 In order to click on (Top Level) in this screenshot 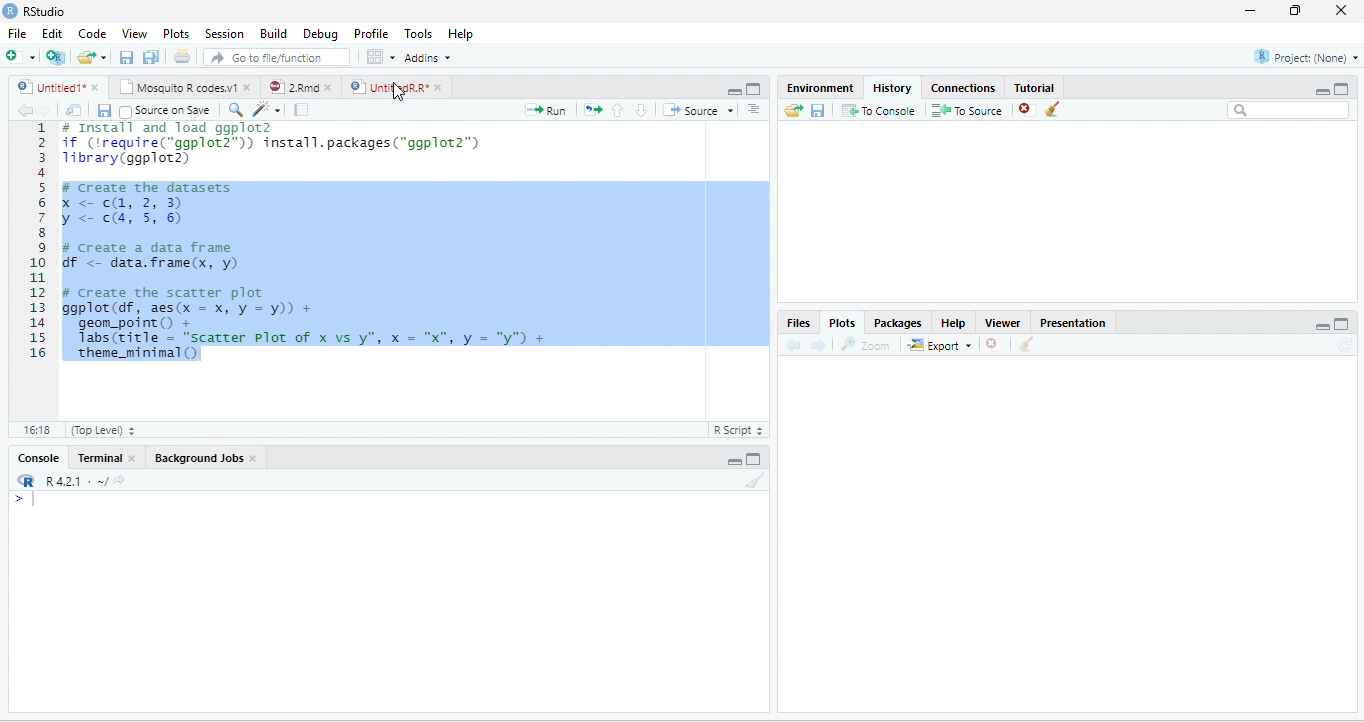, I will do `click(101, 429)`.